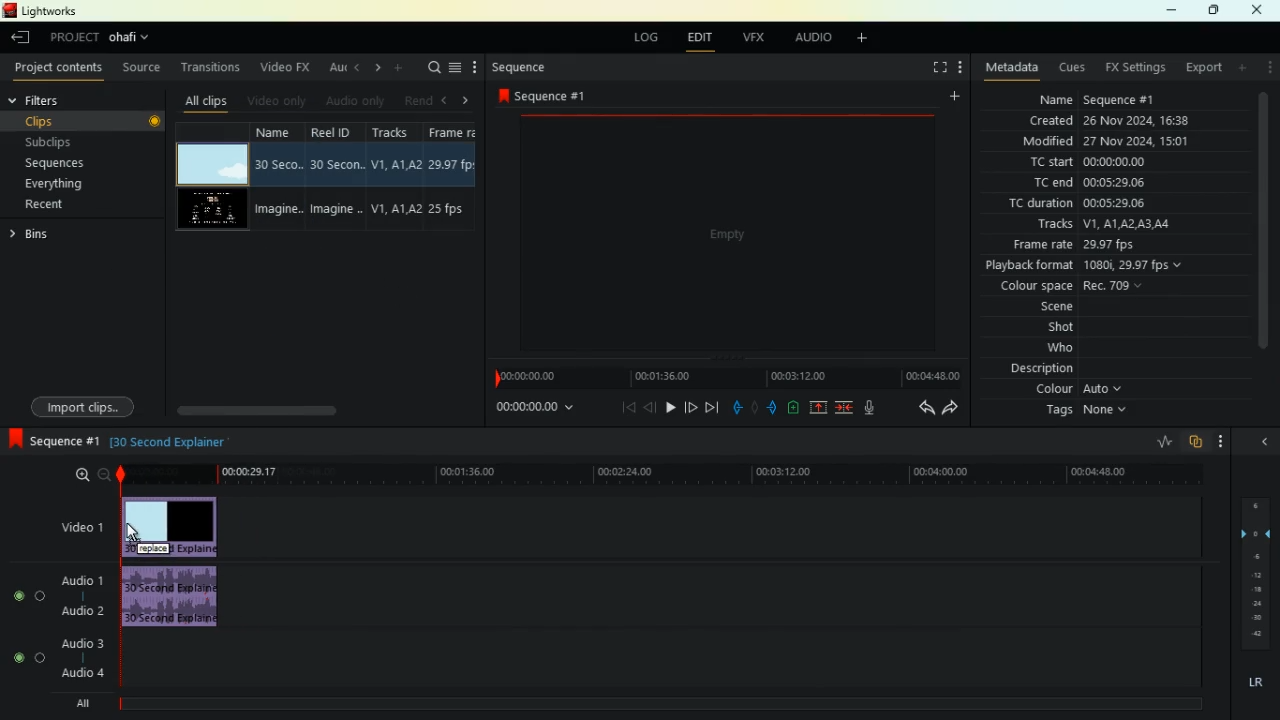  What do you see at coordinates (1093, 182) in the screenshot?
I see `tc end 00:05:29:06` at bounding box center [1093, 182].